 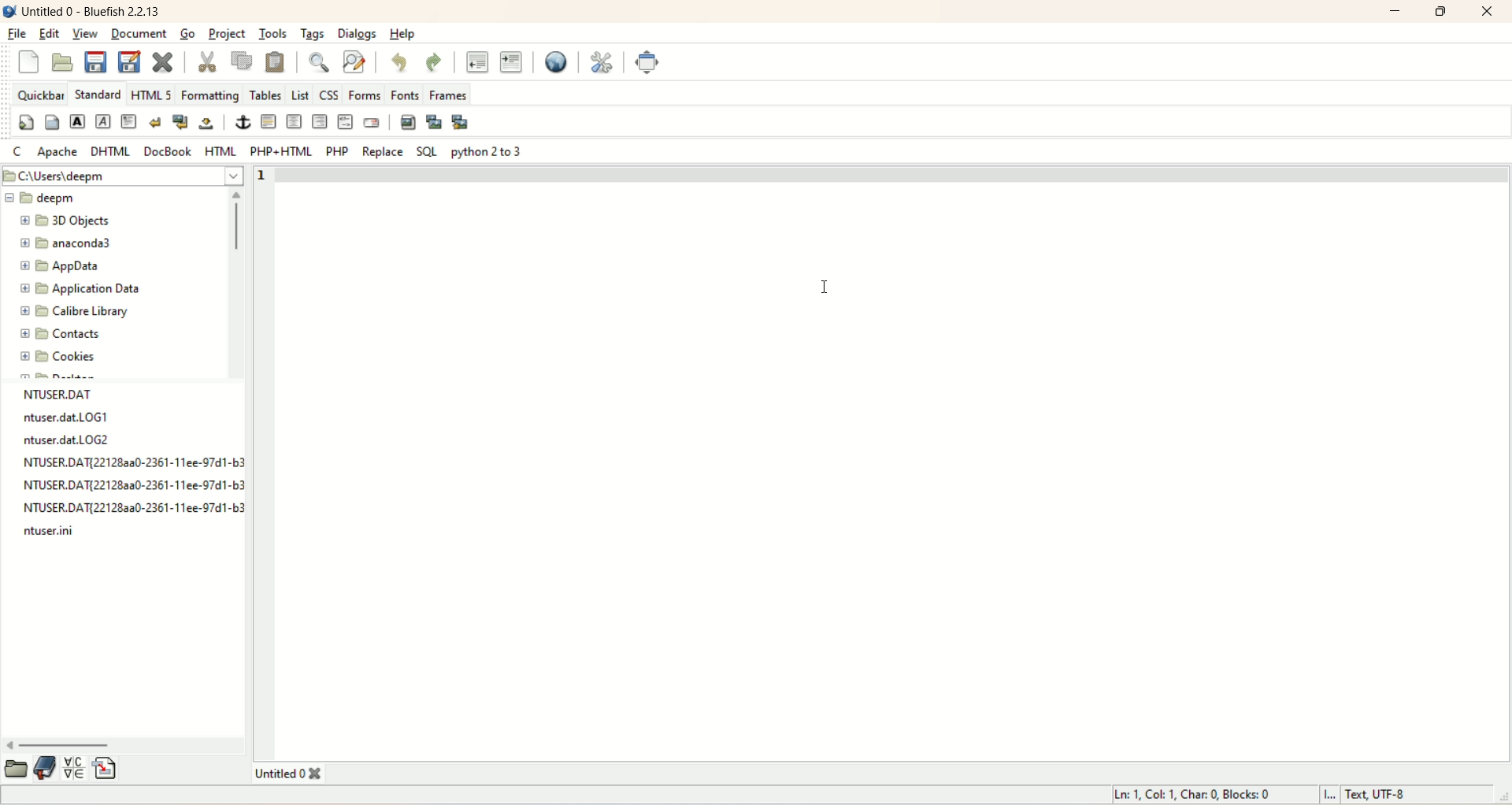 What do you see at coordinates (435, 61) in the screenshot?
I see `redo` at bounding box center [435, 61].